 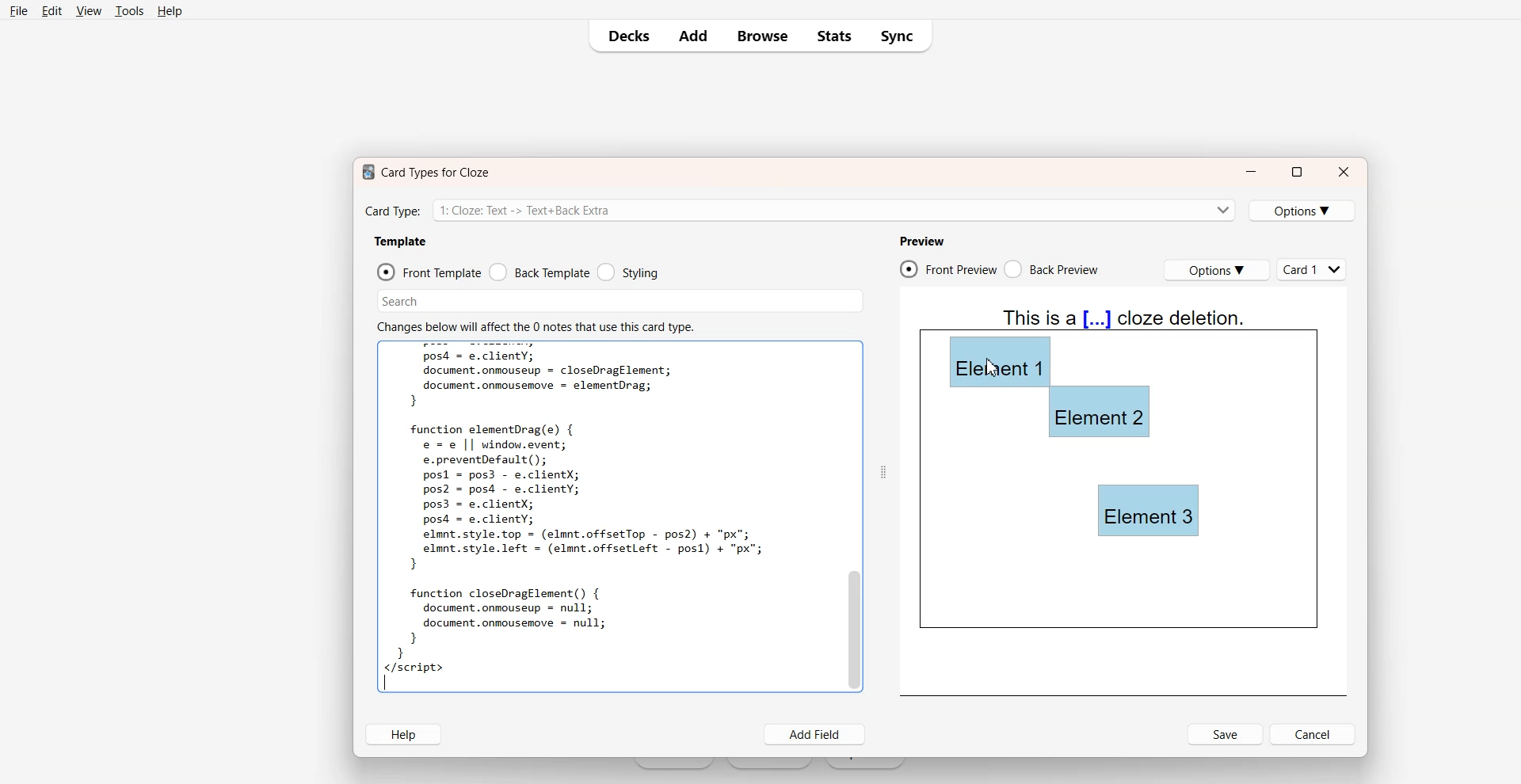 What do you see at coordinates (535, 325) in the screenshot?
I see `Text 2` at bounding box center [535, 325].